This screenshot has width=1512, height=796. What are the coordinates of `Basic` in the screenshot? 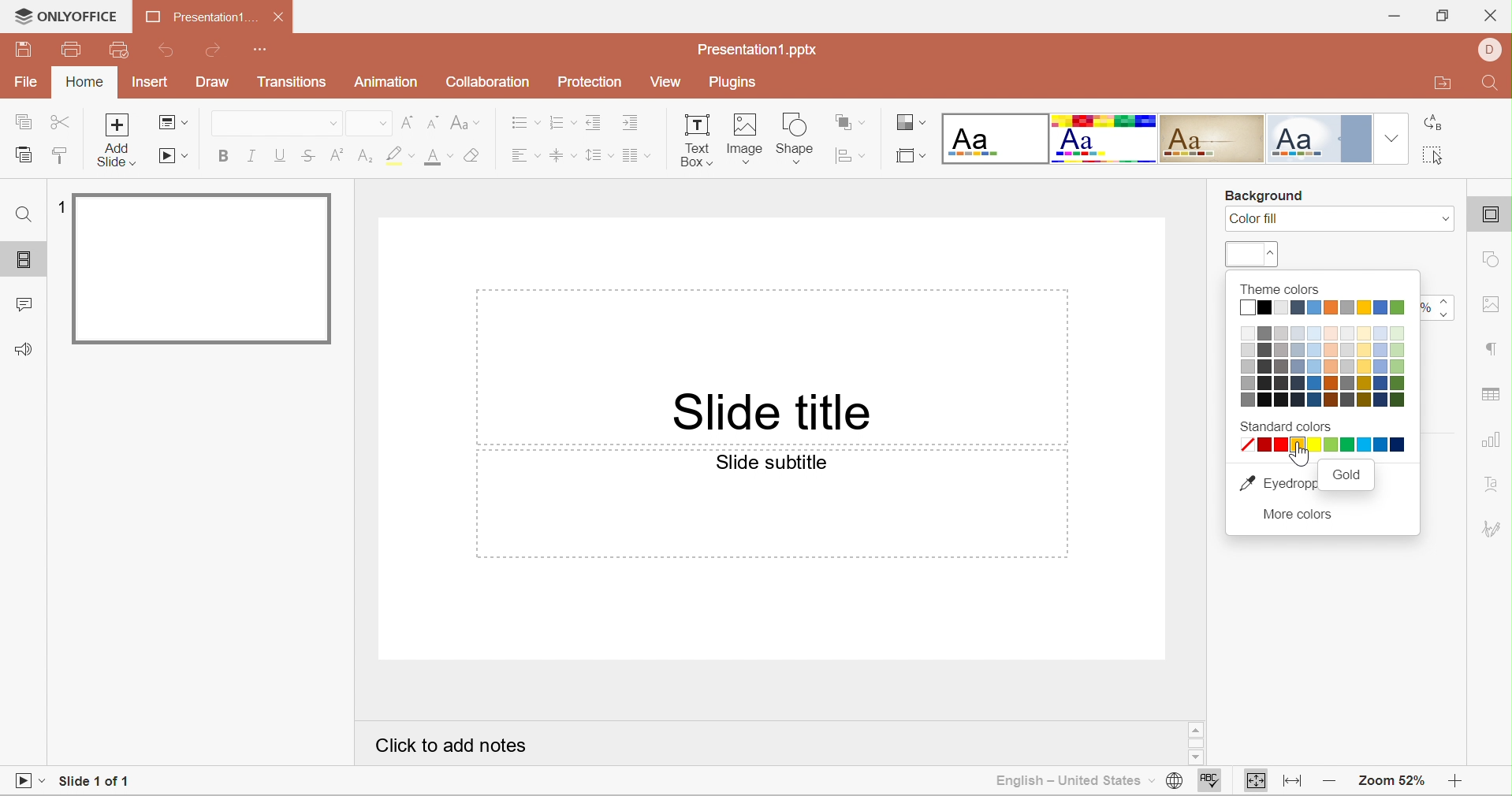 It's located at (1105, 138).